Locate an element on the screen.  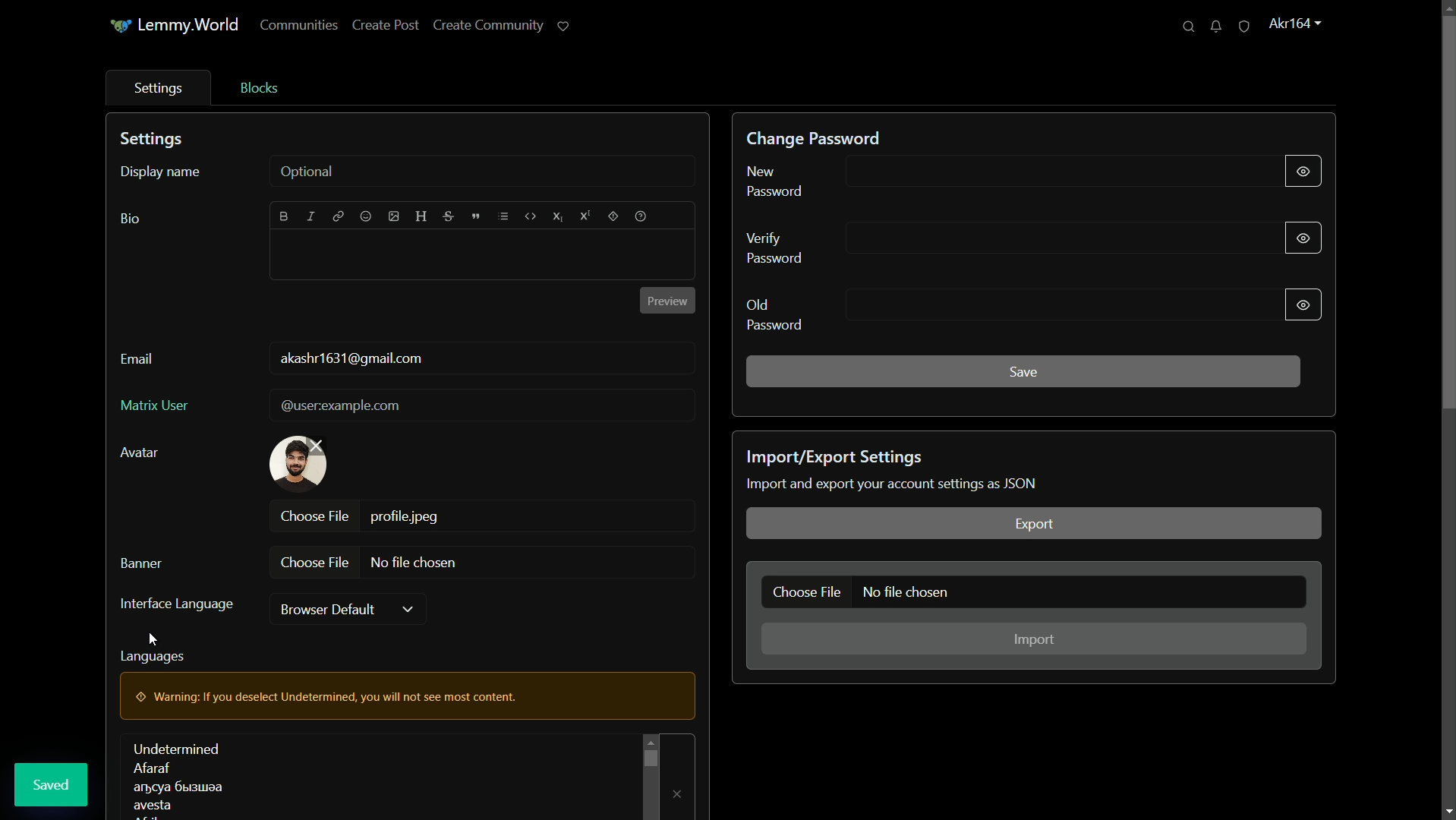
header is located at coordinates (422, 216).